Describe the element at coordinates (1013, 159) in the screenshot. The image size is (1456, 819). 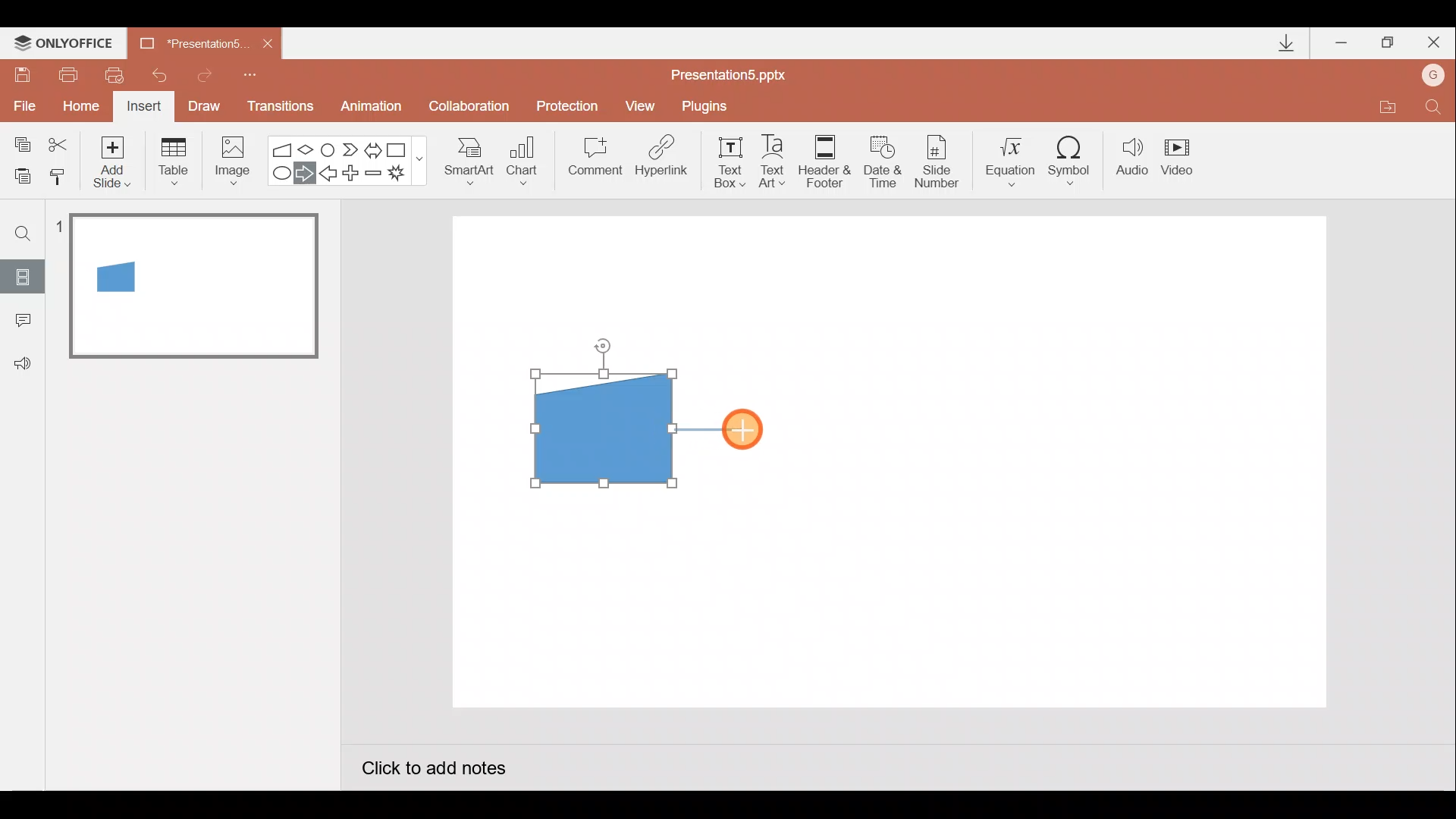
I see `Equation` at that location.